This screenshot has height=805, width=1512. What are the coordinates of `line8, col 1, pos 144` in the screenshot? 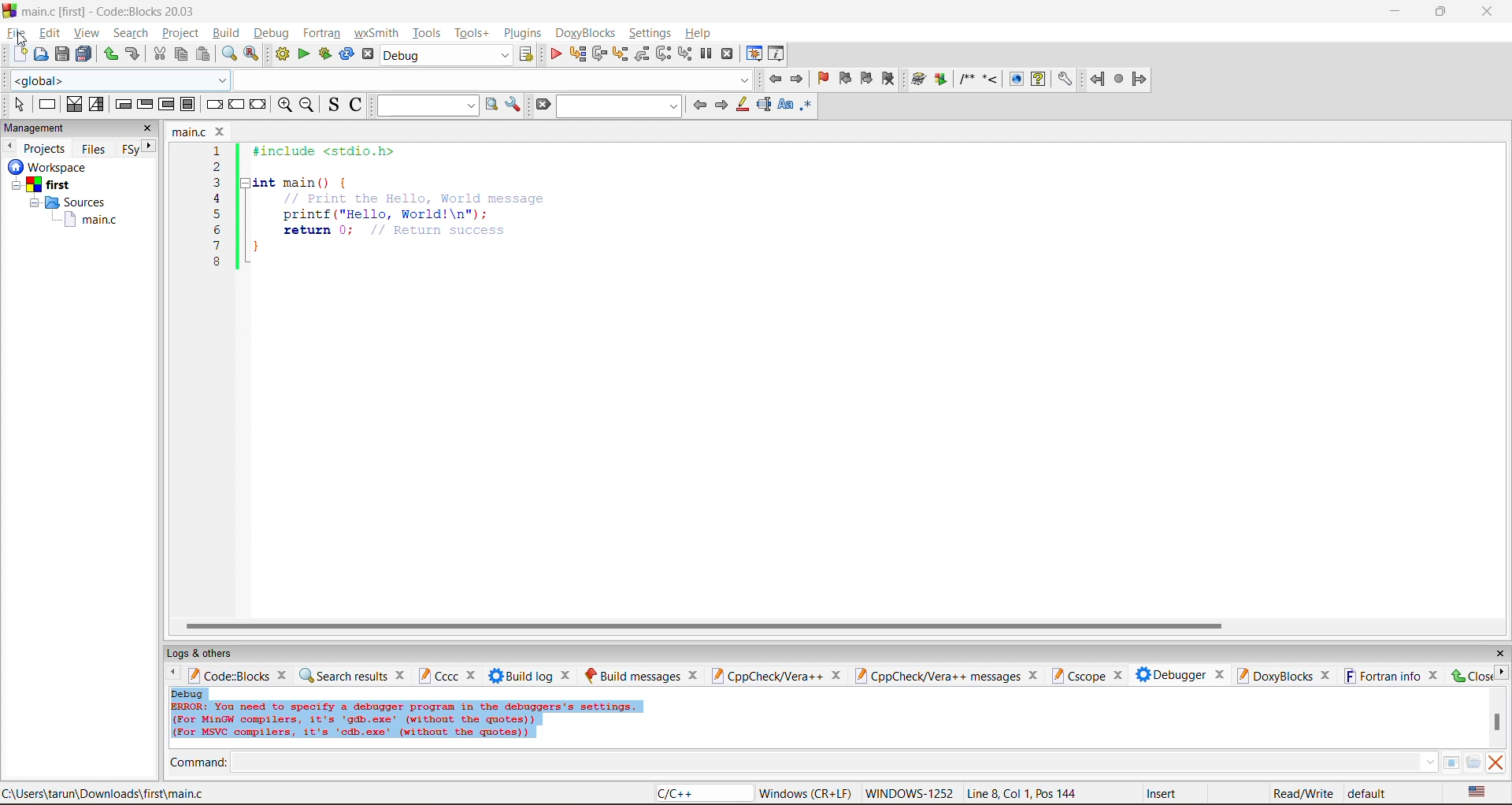 It's located at (1025, 793).